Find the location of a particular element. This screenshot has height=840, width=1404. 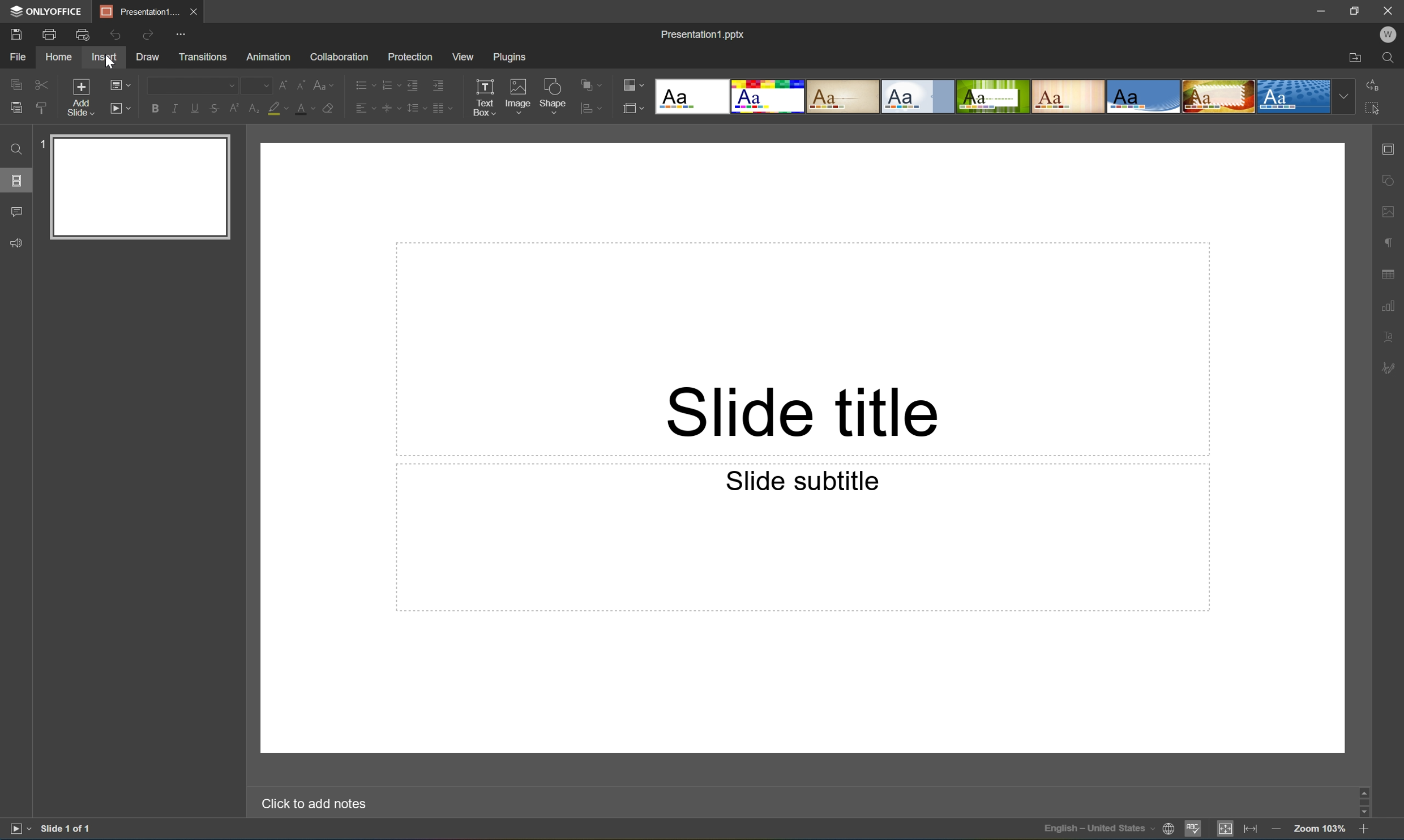

Find is located at coordinates (16, 149).